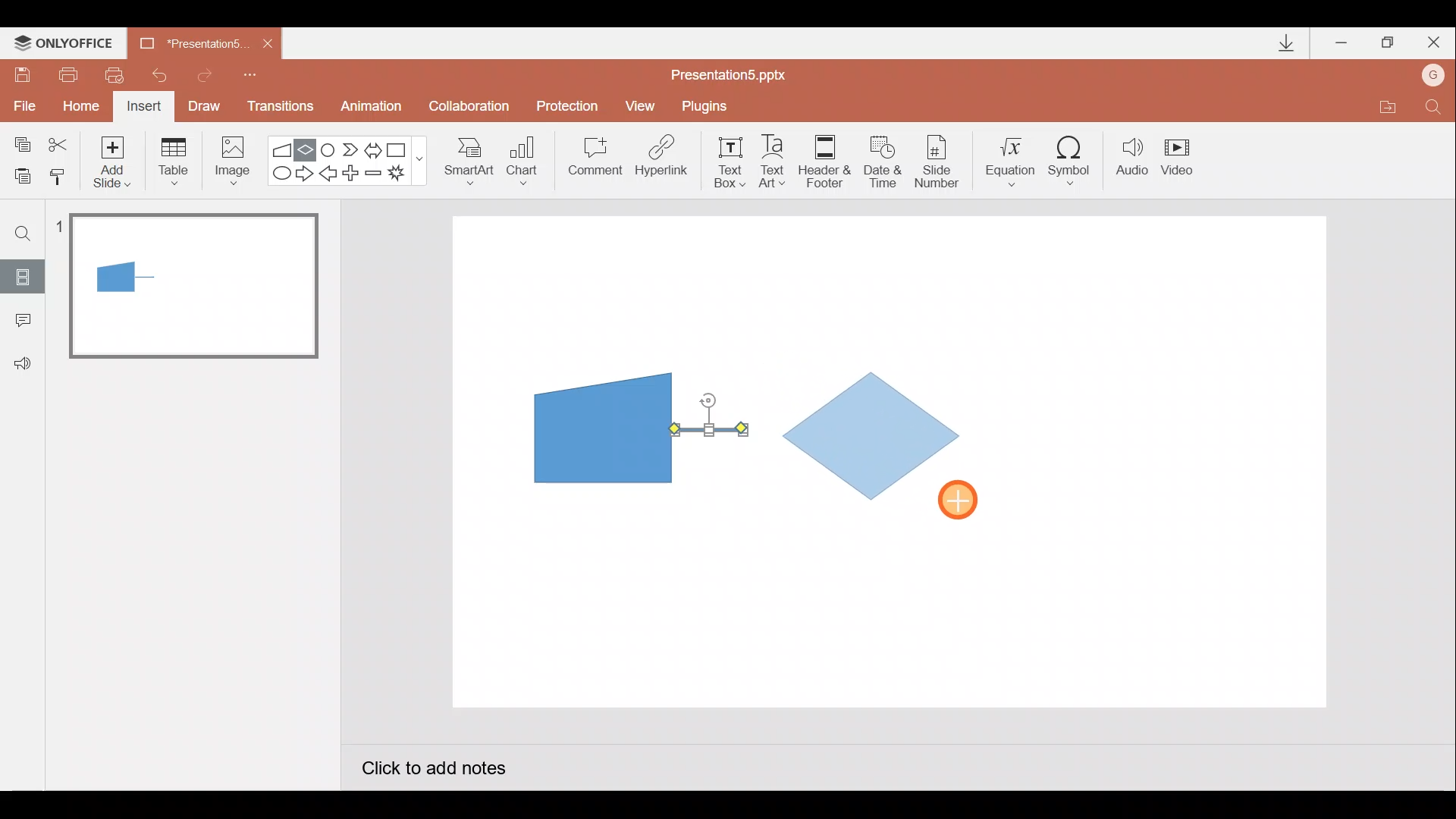 This screenshot has height=819, width=1456. Describe the element at coordinates (250, 73) in the screenshot. I see `Customize quick access toolbar` at that location.